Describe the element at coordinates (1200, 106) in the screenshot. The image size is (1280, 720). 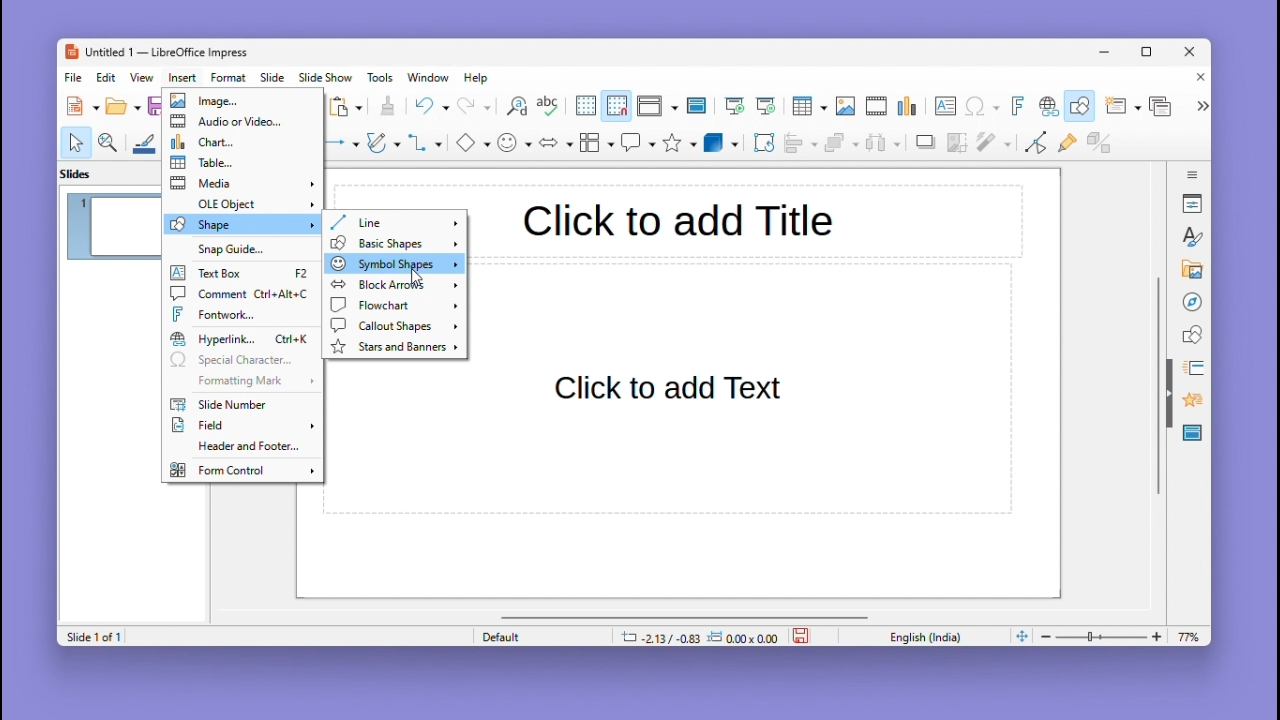
I see `expand` at that location.